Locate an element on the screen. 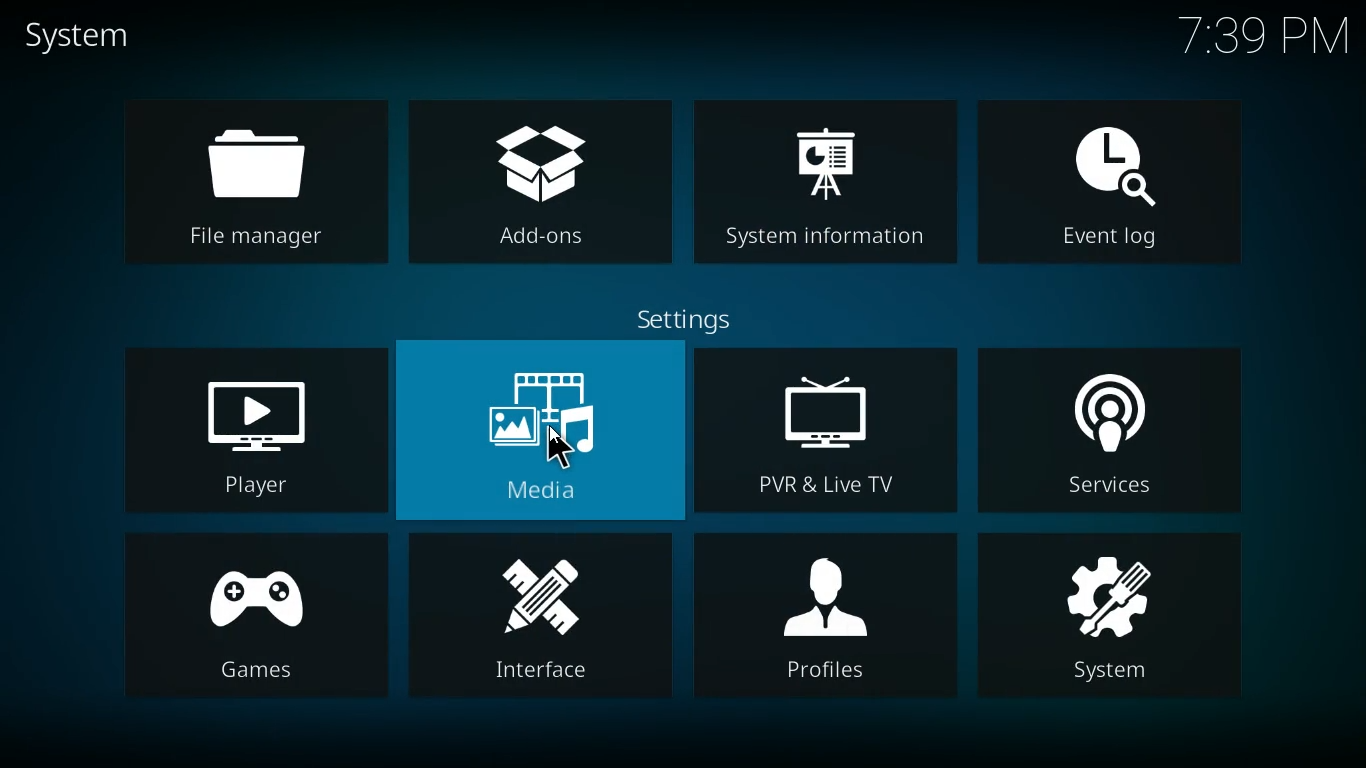 The width and height of the screenshot is (1366, 768). media is located at coordinates (541, 432).